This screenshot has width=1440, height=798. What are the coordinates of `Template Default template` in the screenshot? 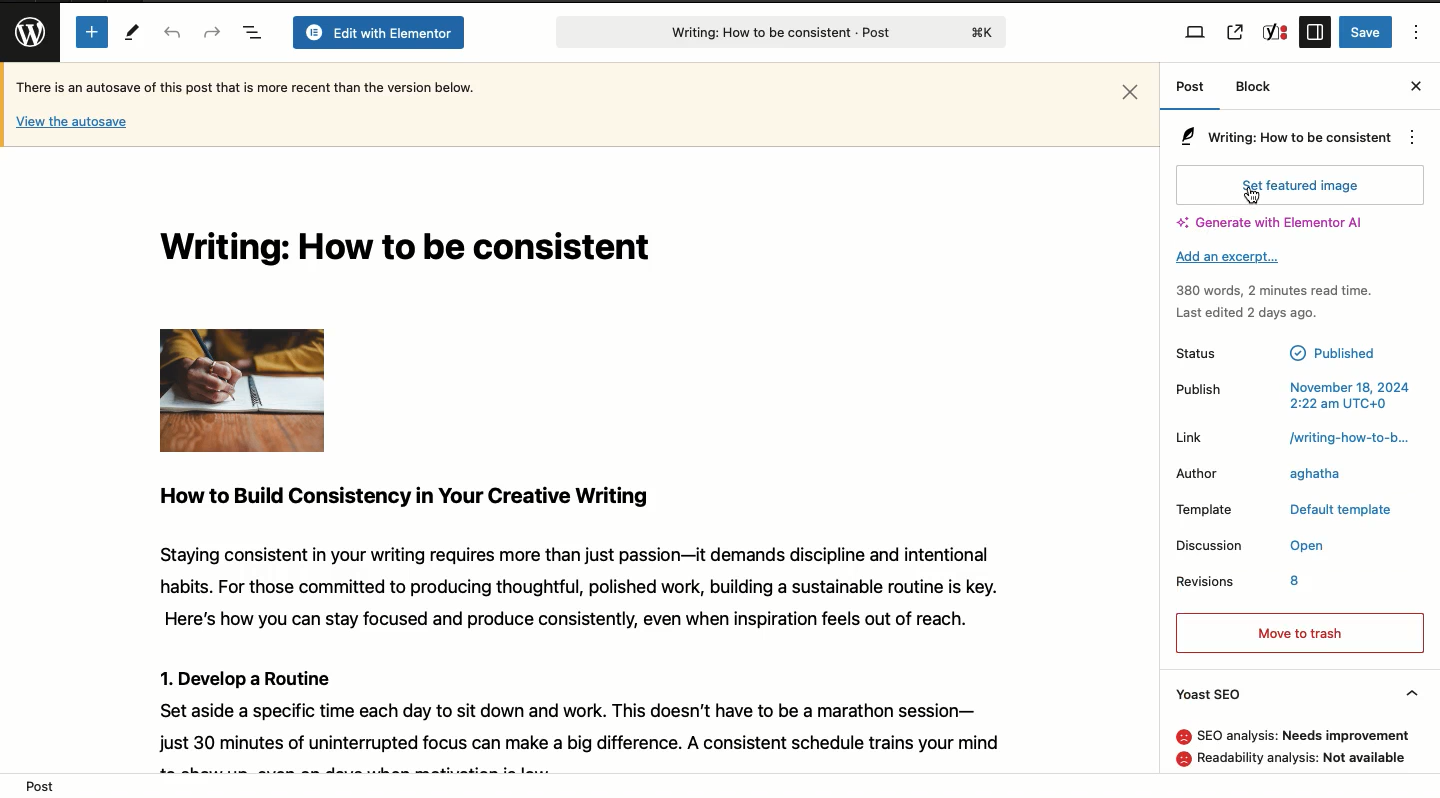 It's located at (1285, 512).